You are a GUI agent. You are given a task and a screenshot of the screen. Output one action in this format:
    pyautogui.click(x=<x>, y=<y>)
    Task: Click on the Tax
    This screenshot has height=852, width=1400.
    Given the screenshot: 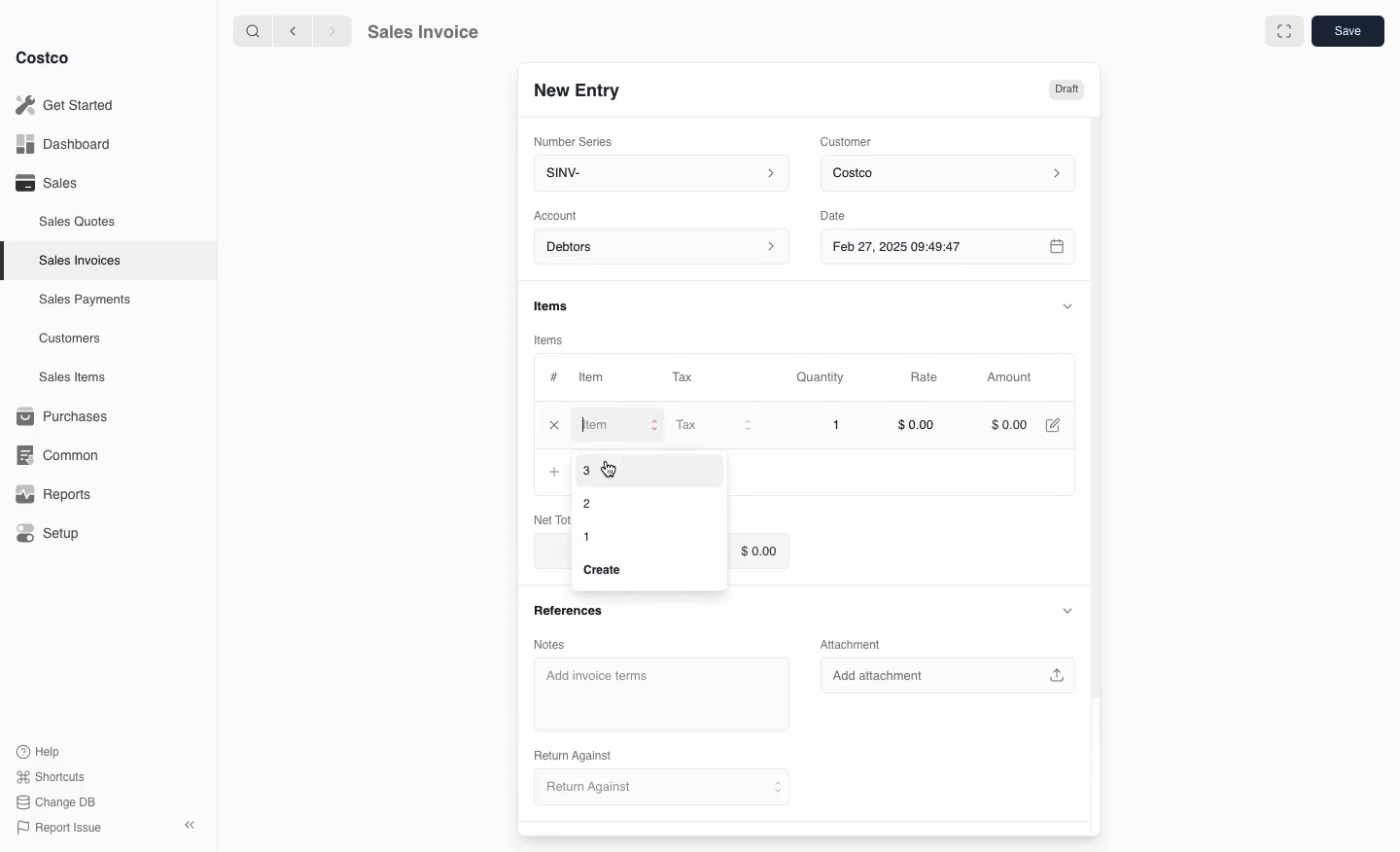 What is the action you would take?
    pyautogui.click(x=713, y=425)
    